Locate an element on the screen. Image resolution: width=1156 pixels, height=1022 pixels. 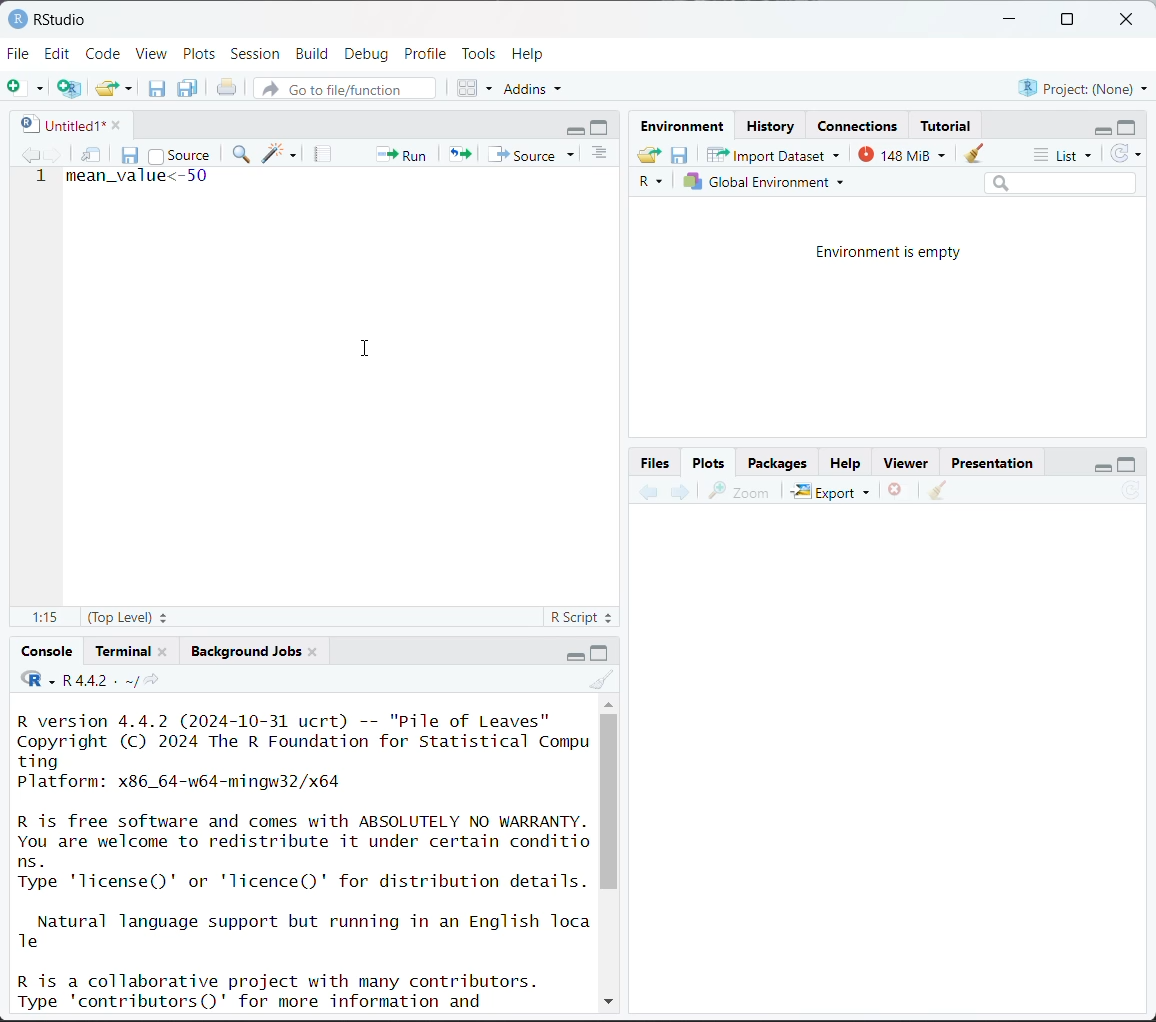
maximize is located at coordinates (1127, 463).